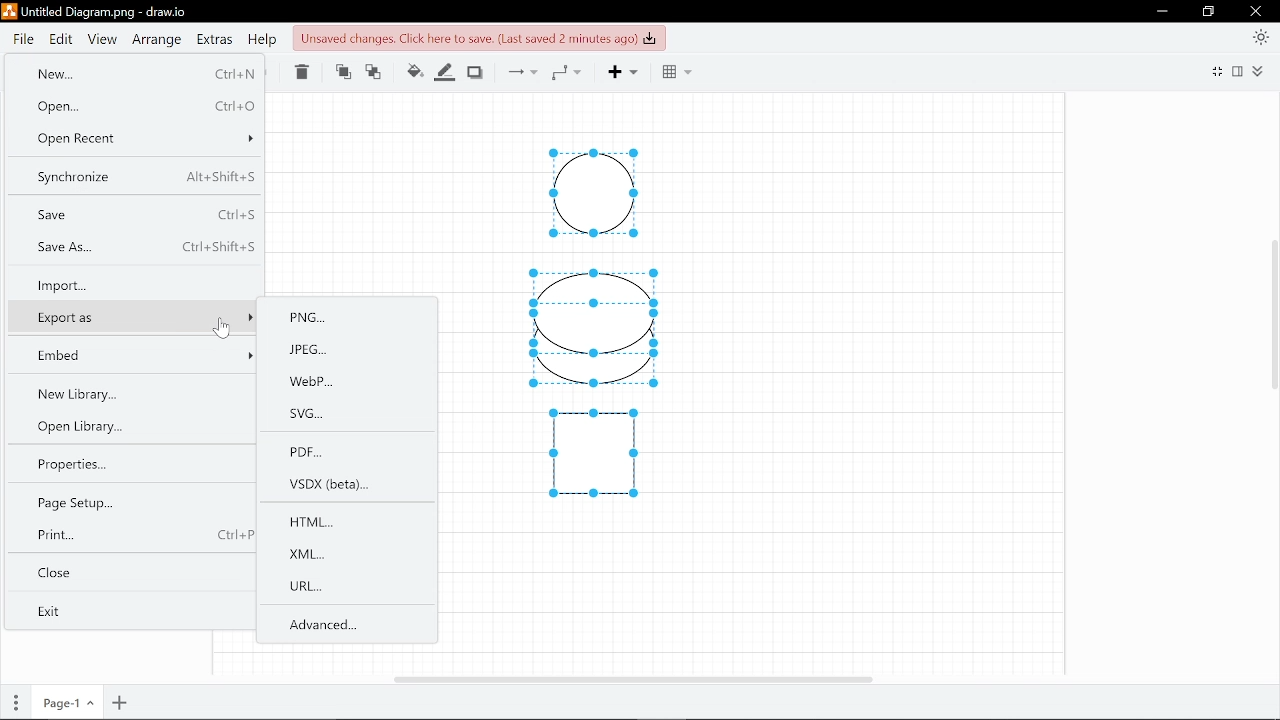 This screenshot has width=1280, height=720. Describe the element at coordinates (226, 329) in the screenshot. I see `cursor` at that location.